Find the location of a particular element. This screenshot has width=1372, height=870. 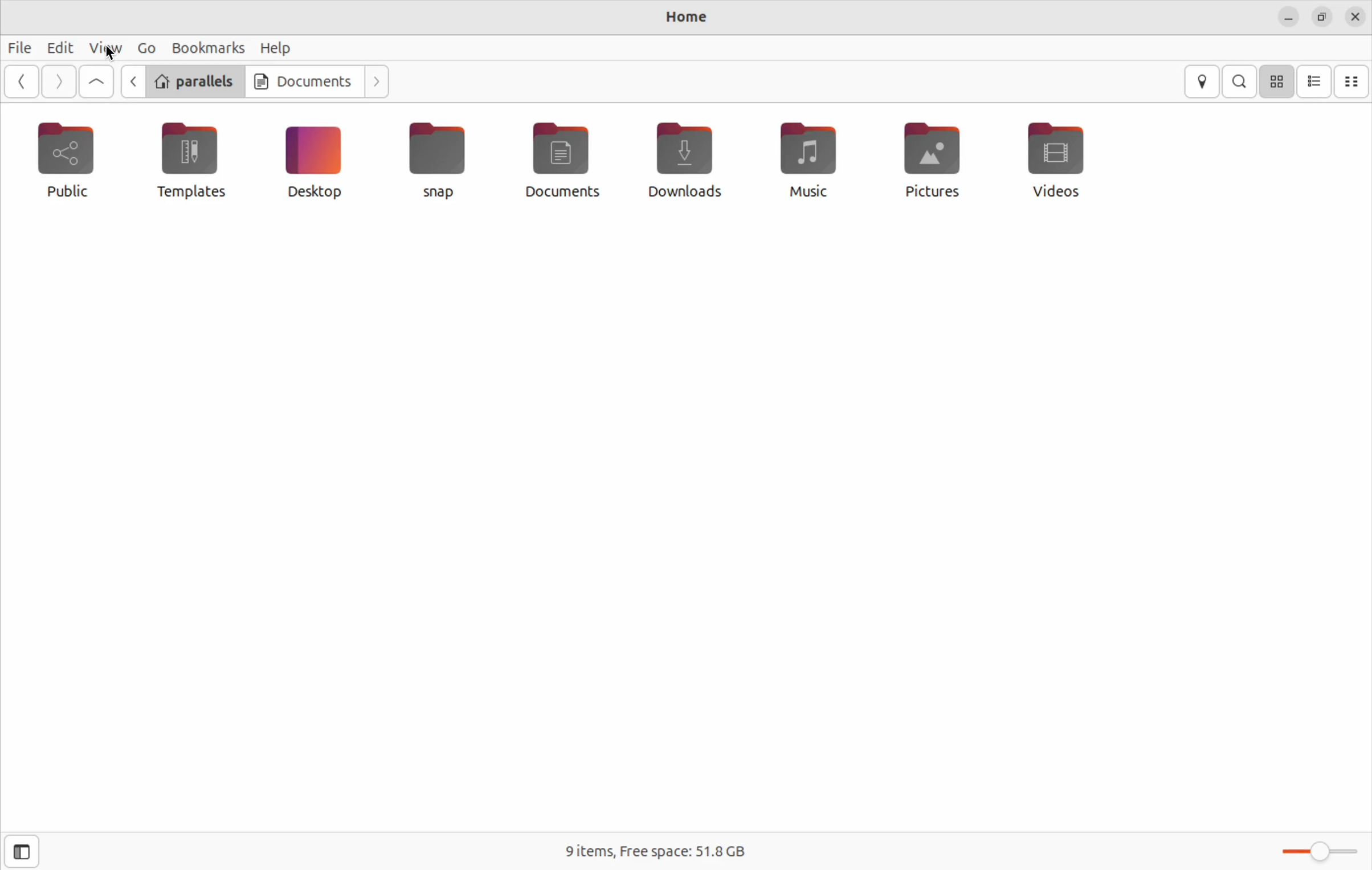

next is located at coordinates (378, 82).